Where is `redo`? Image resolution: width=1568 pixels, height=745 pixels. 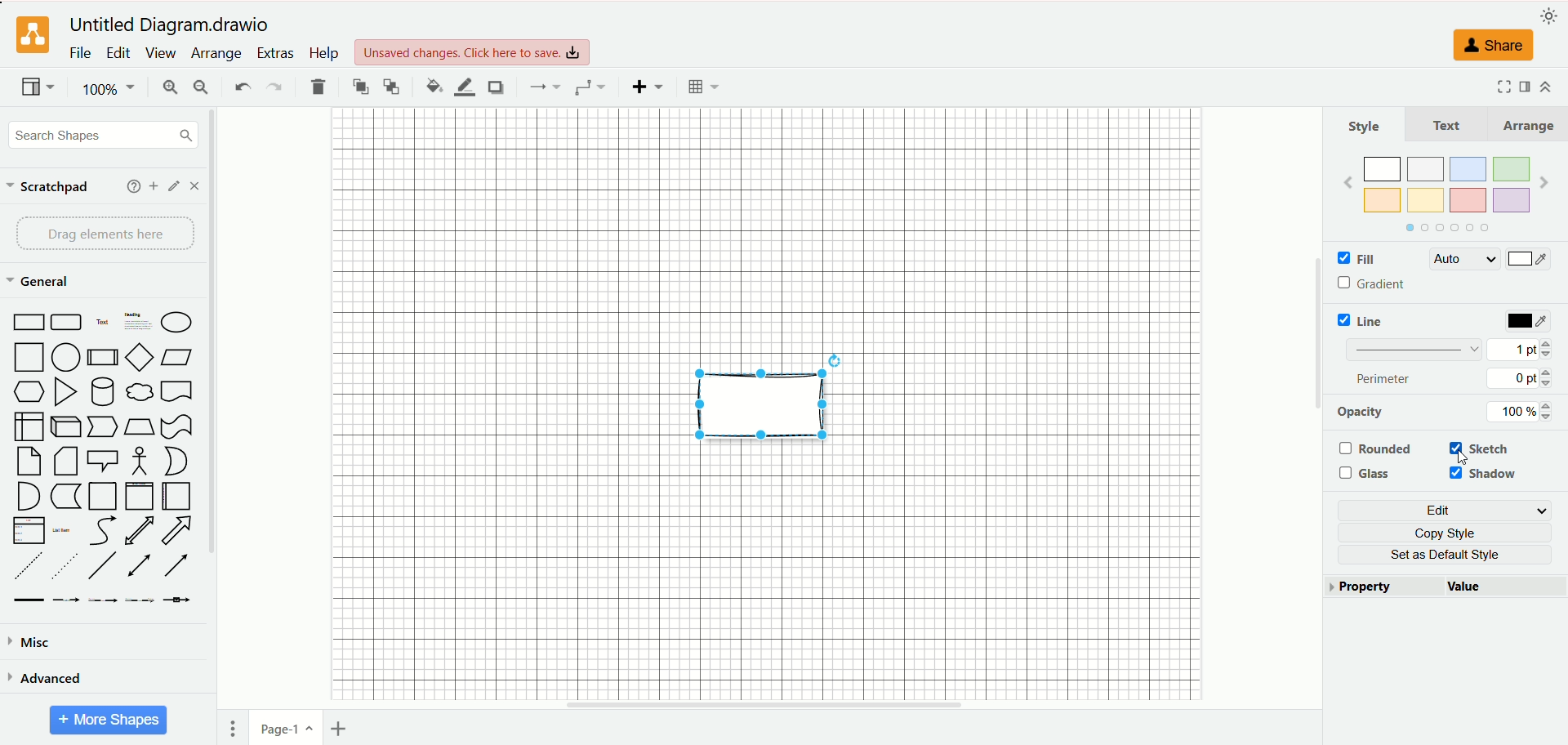 redo is located at coordinates (273, 88).